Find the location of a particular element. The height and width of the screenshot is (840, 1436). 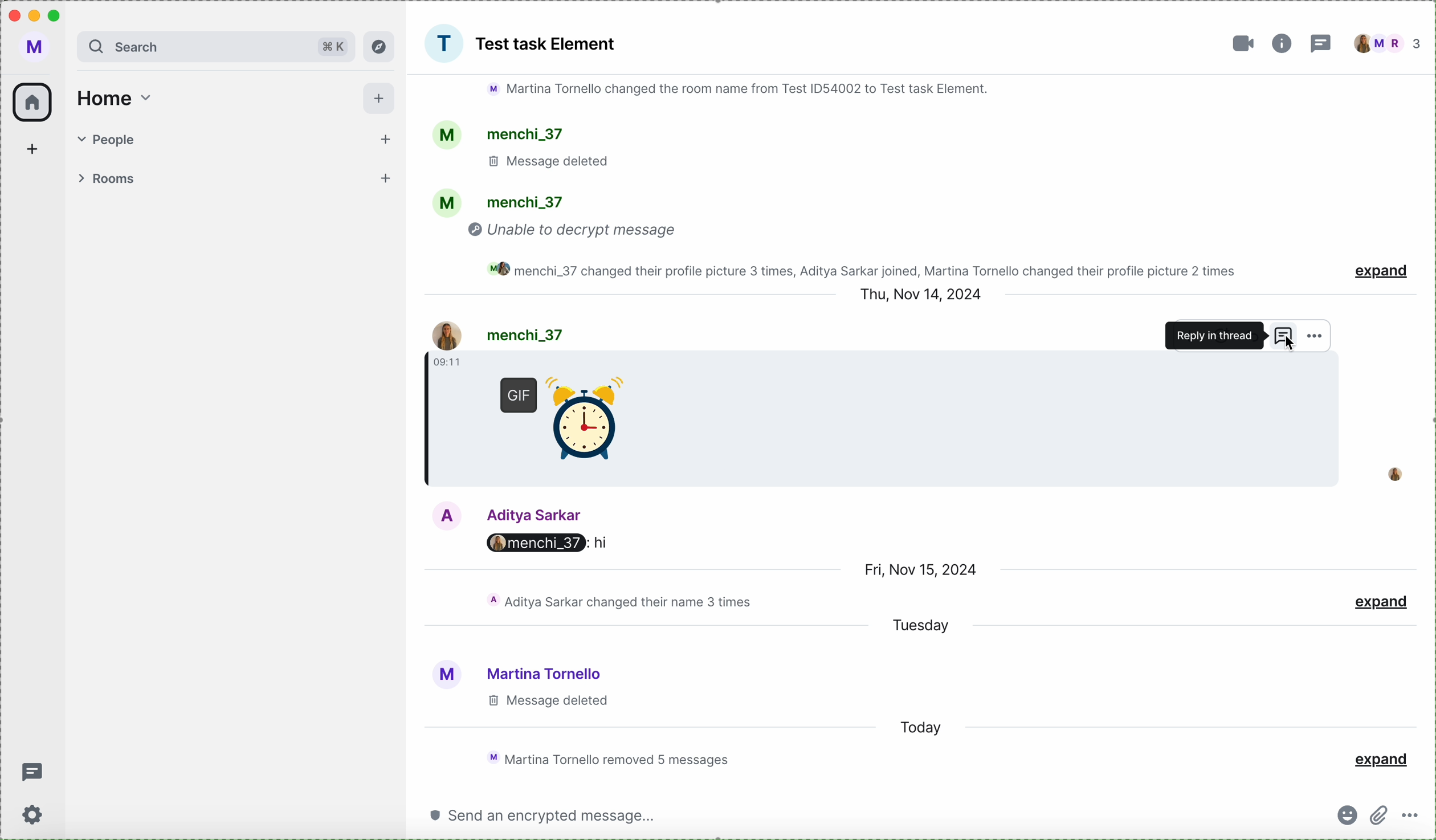

home icon is located at coordinates (33, 102).